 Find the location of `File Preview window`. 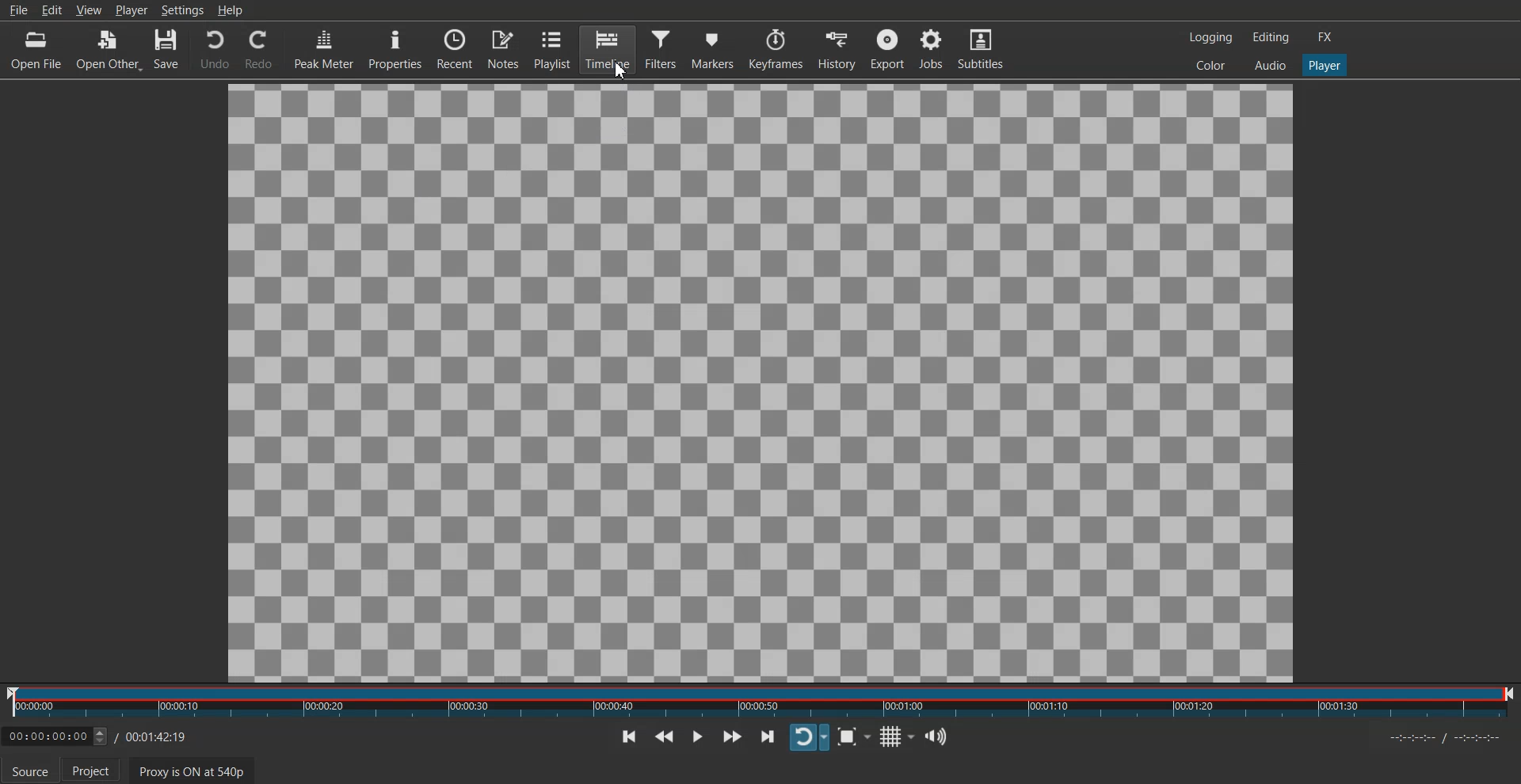

File Preview window is located at coordinates (757, 382).